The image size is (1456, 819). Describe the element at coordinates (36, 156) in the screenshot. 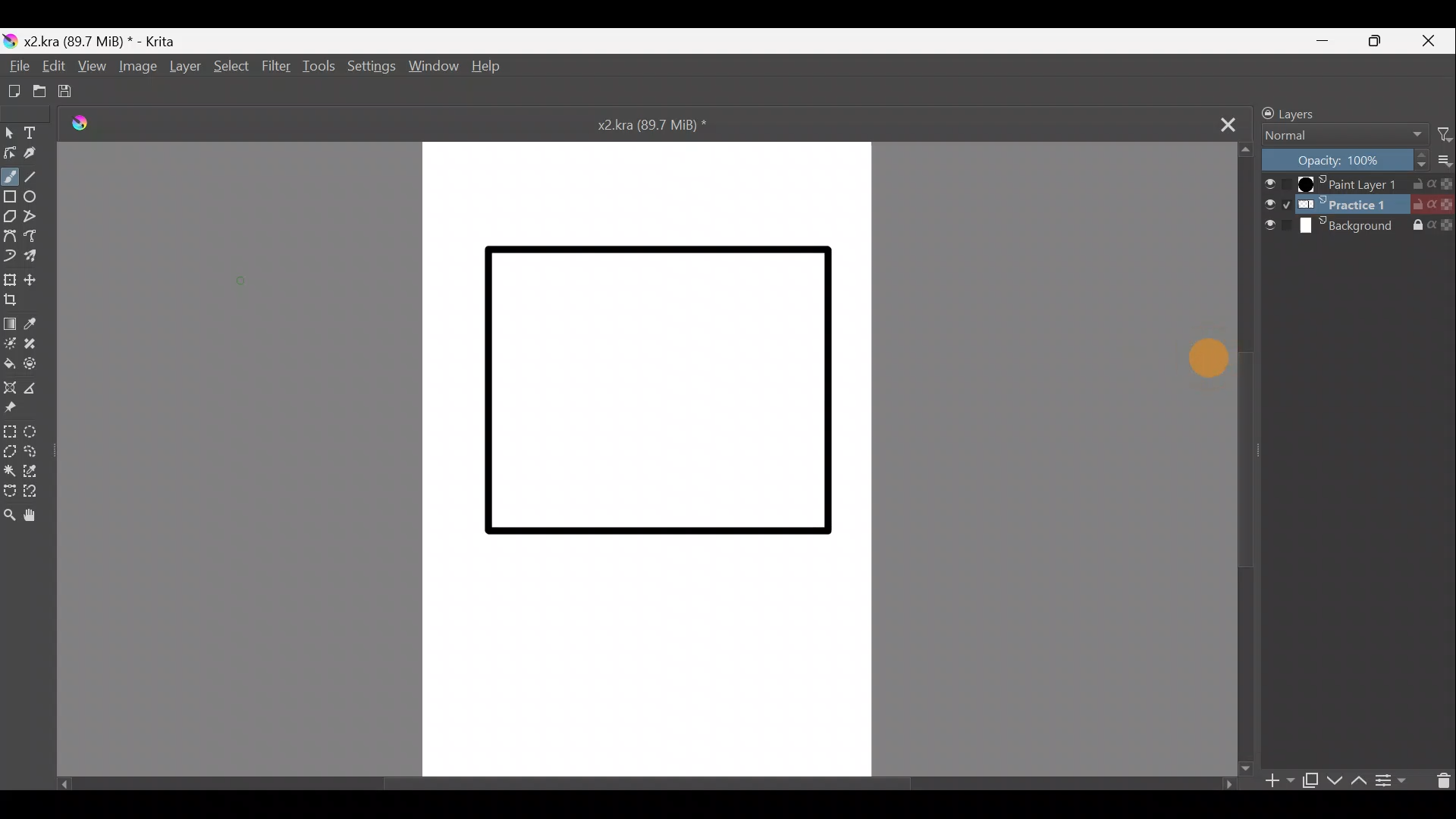

I see `Calligraphy` at that location.